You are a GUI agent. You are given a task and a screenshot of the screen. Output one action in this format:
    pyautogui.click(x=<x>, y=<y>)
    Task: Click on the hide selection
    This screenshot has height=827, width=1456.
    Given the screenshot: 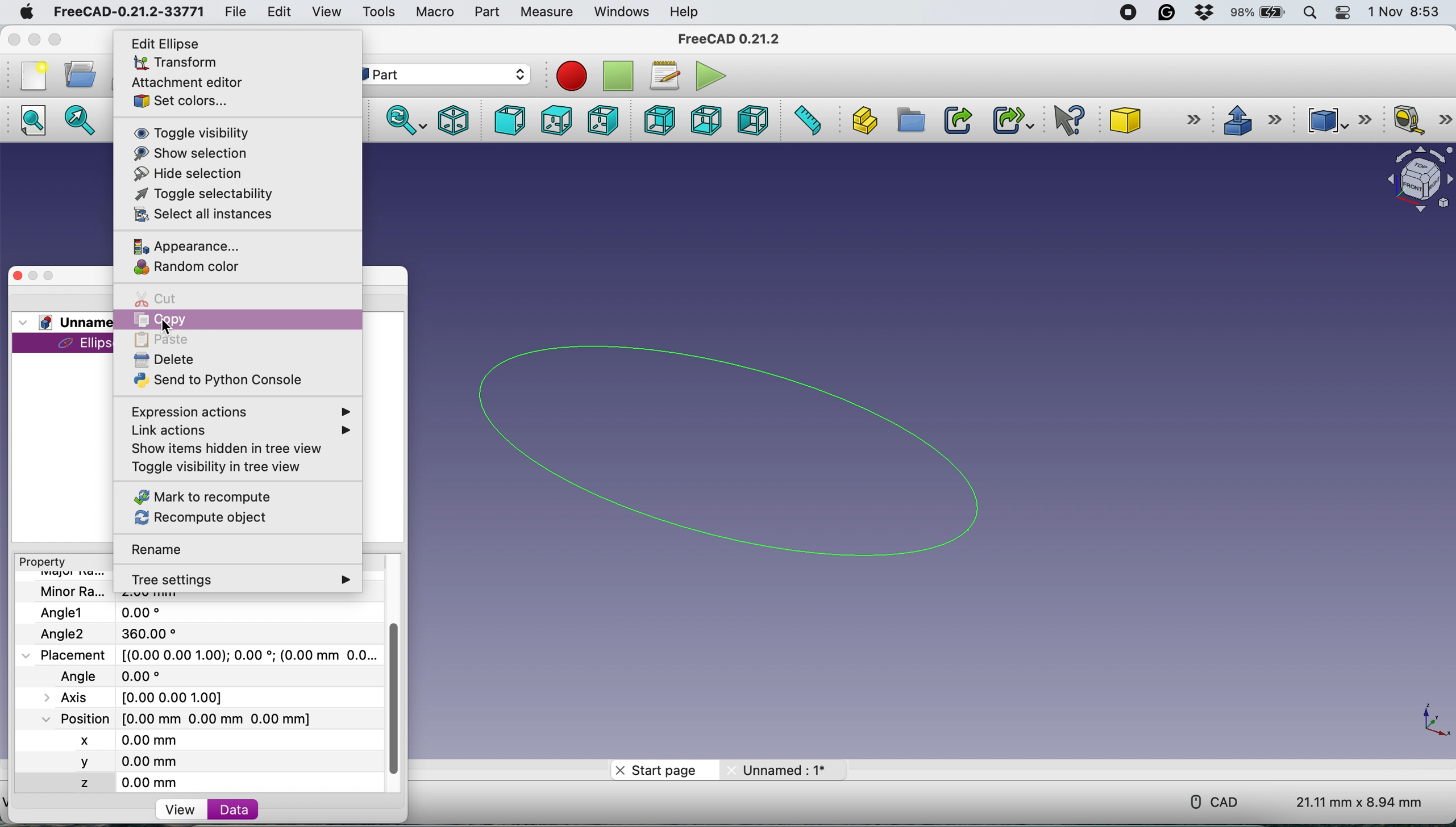 What is the action you would take?
    pyautogui.click(x=189, y=173)
    